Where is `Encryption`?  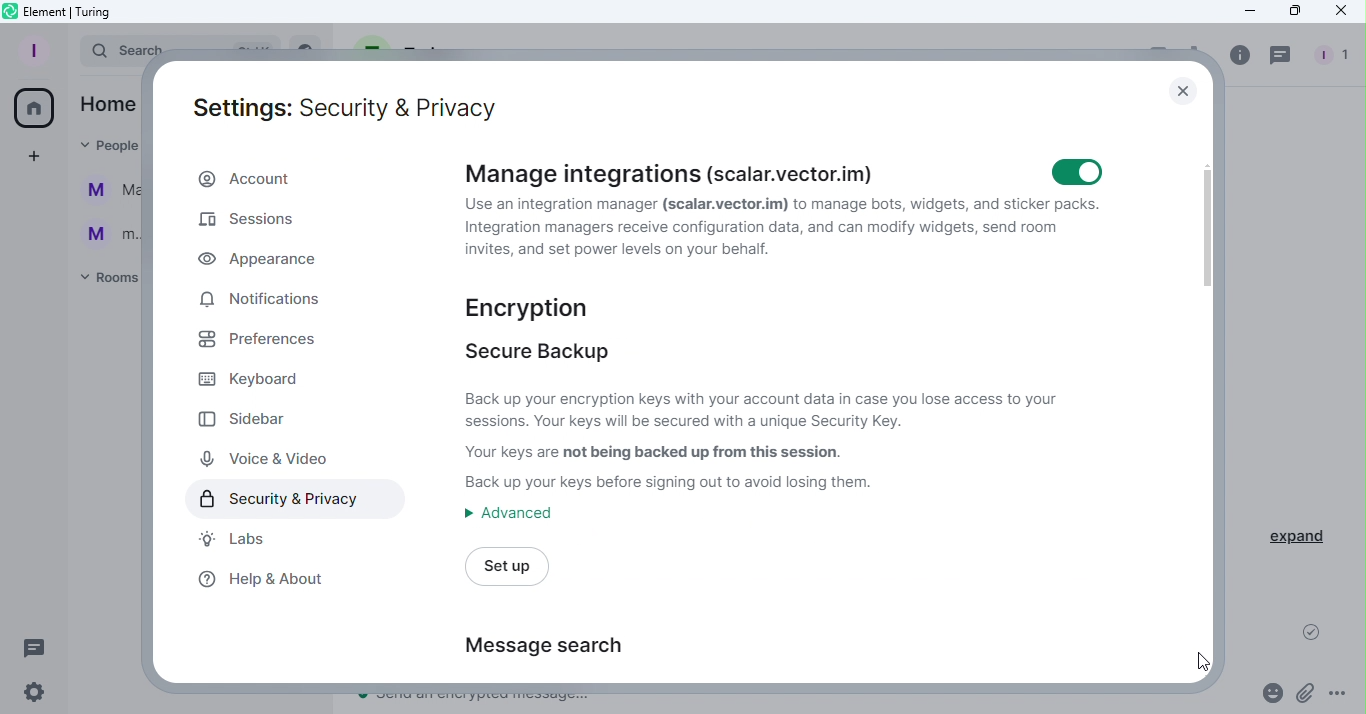
Encryption is located at coordinates (536, 307).